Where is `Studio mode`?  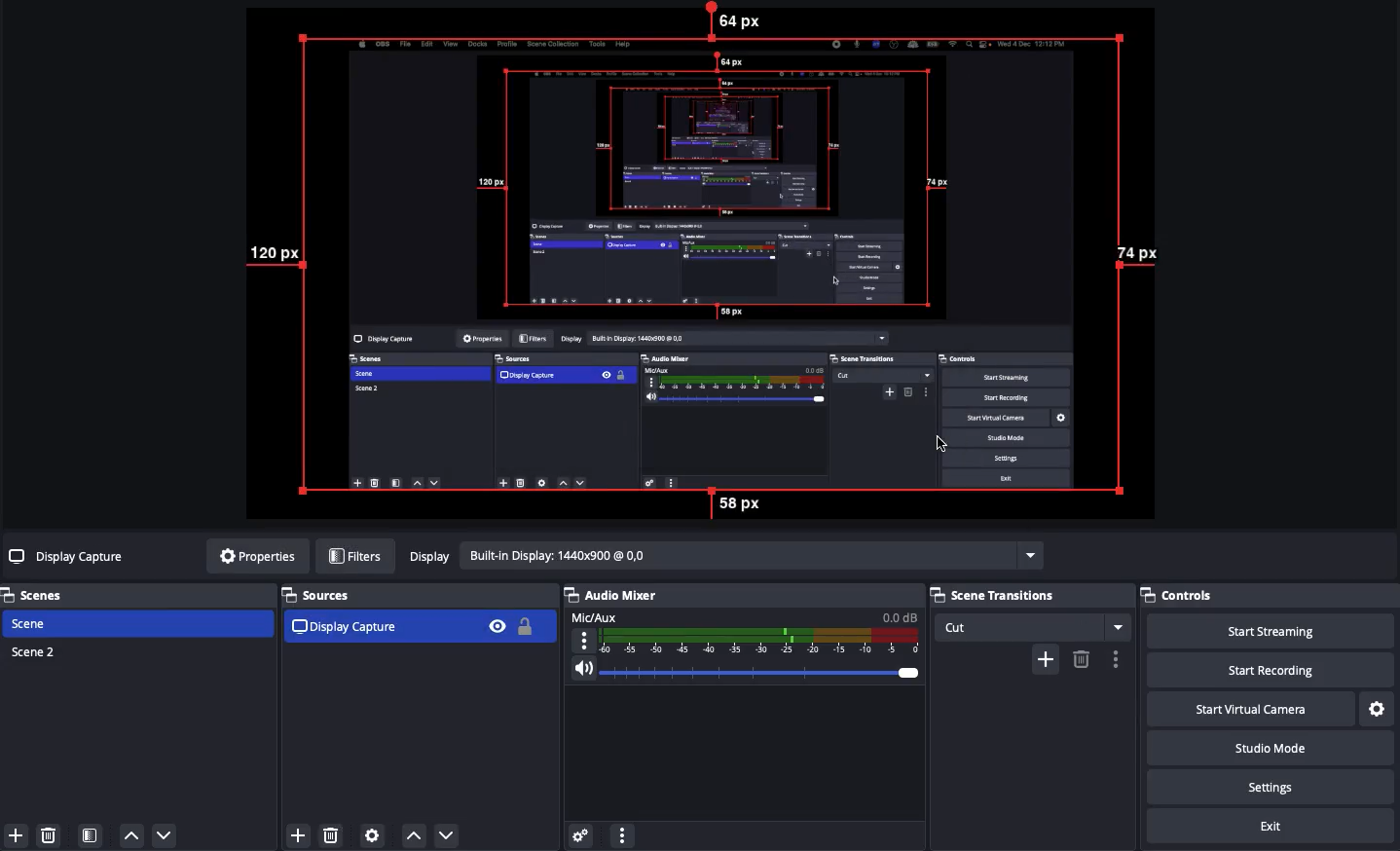 Studio mode is located at coordinates (1285, 751).